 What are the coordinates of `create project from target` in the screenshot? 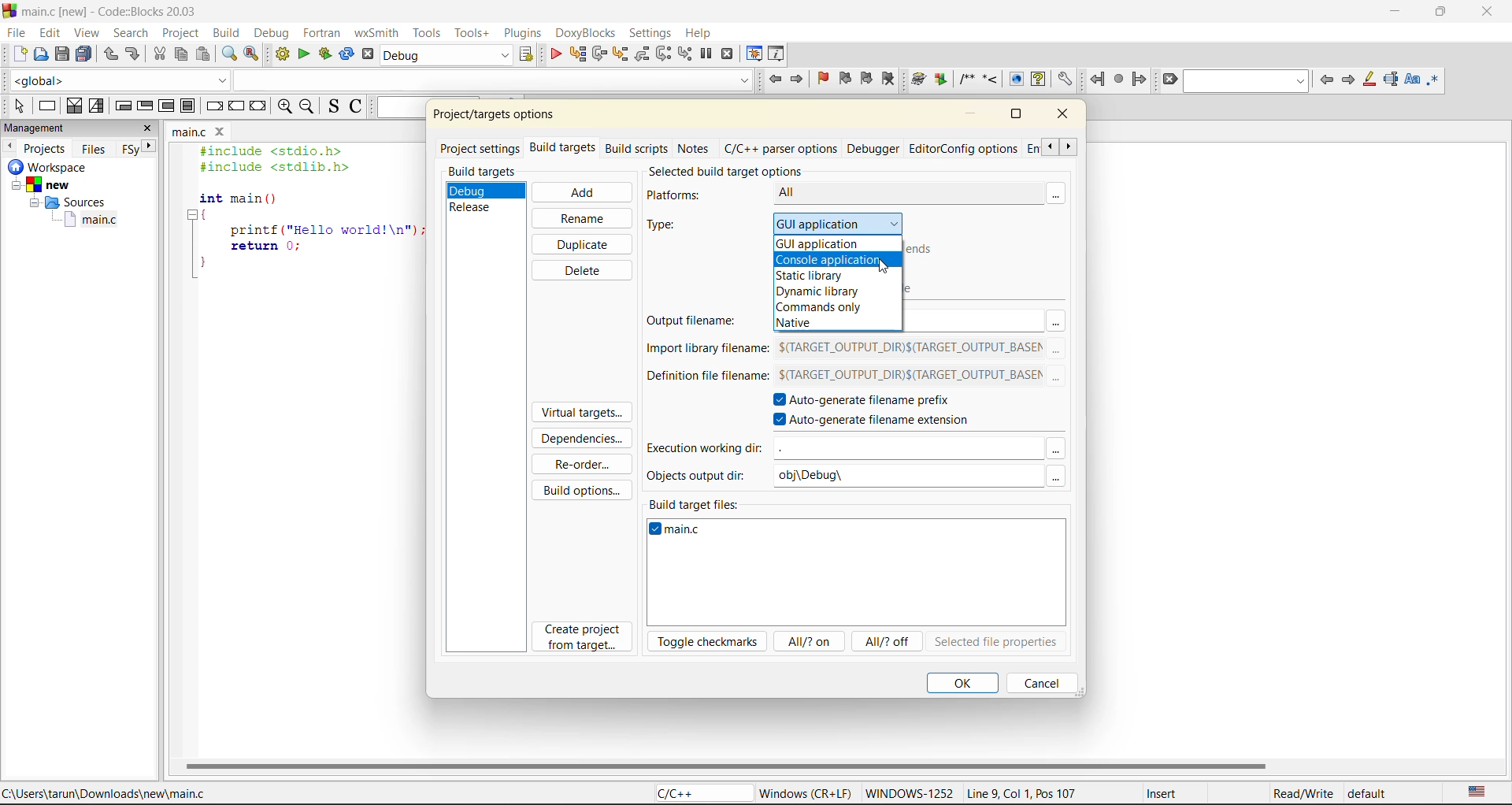 It's located at (584, 638).